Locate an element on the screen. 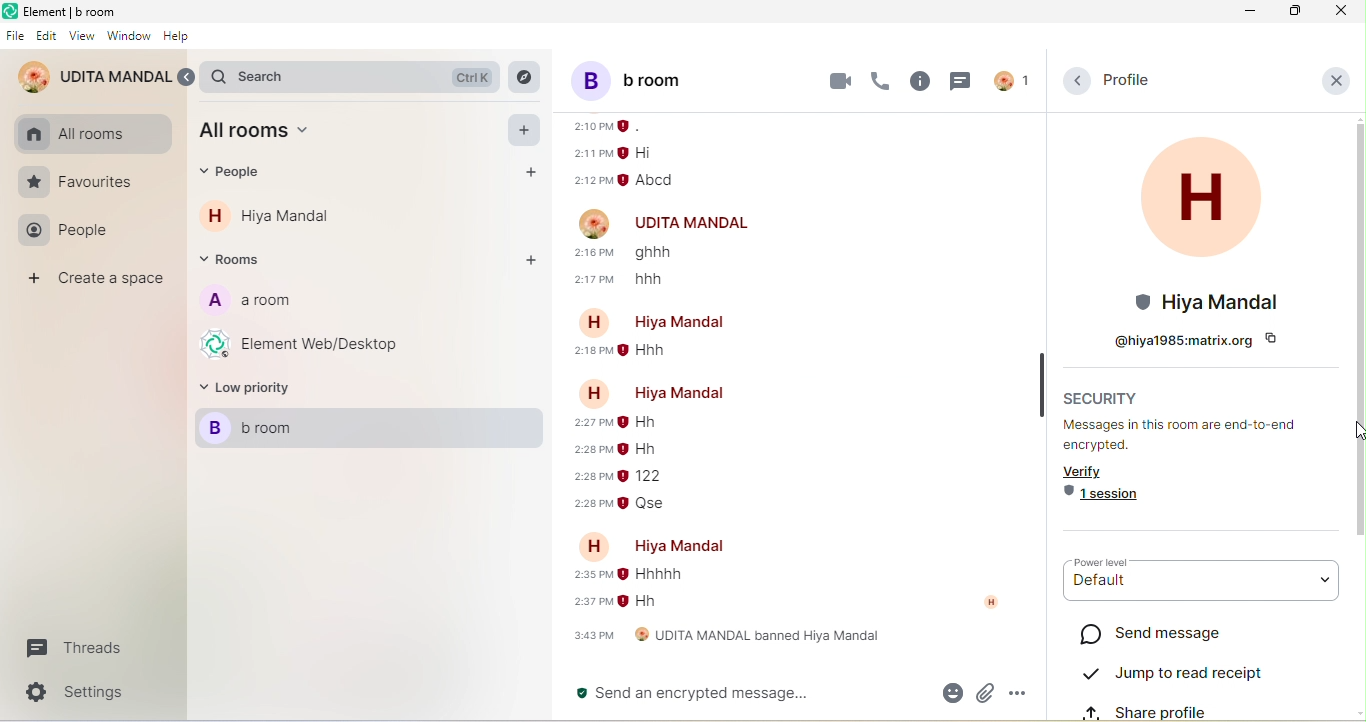 The width and height of the screenshot is (1366, 722). option is located at coordinates (1018, 694).